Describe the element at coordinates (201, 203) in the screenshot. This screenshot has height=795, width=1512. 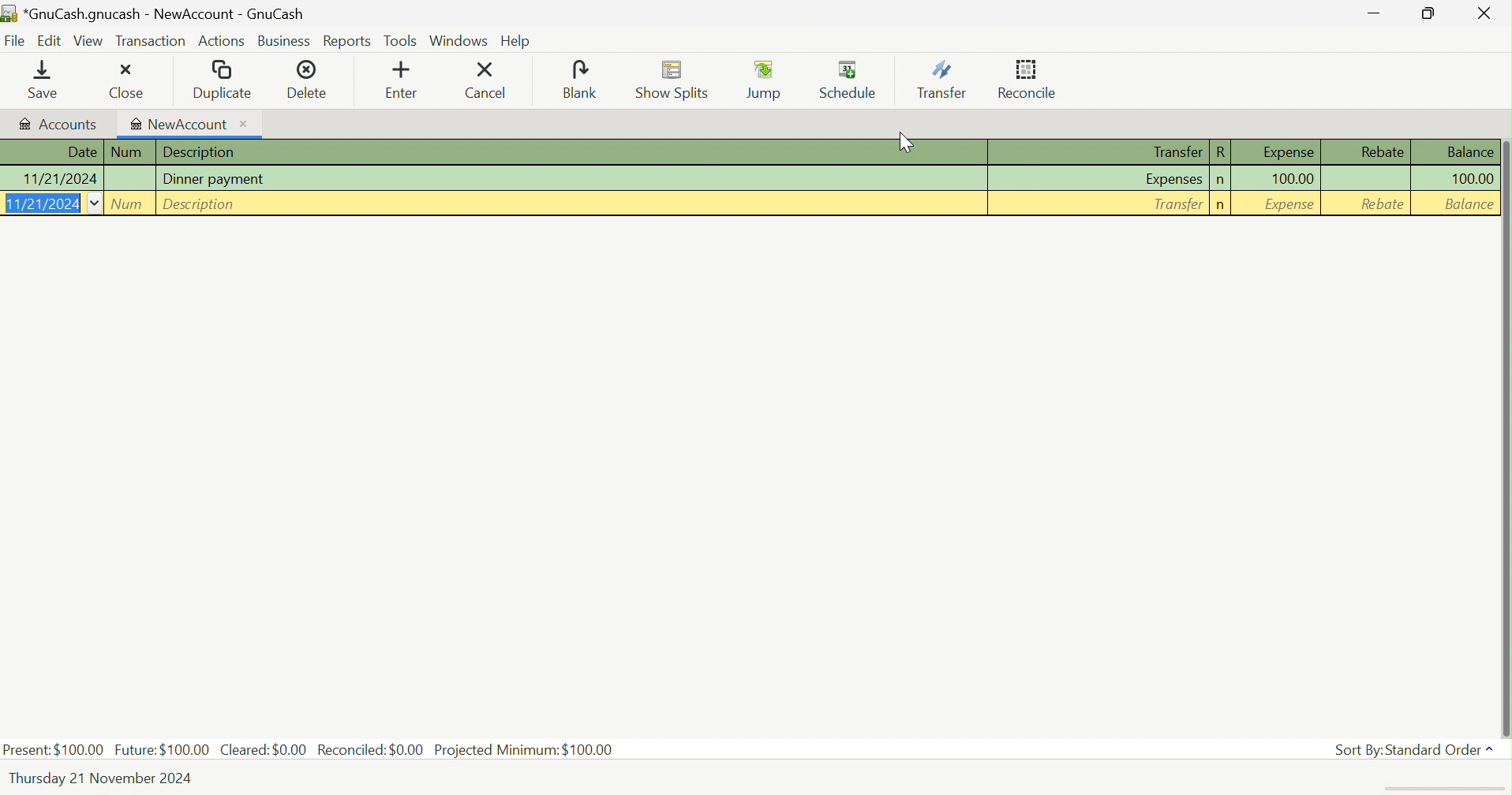
I see `decription` at that location.